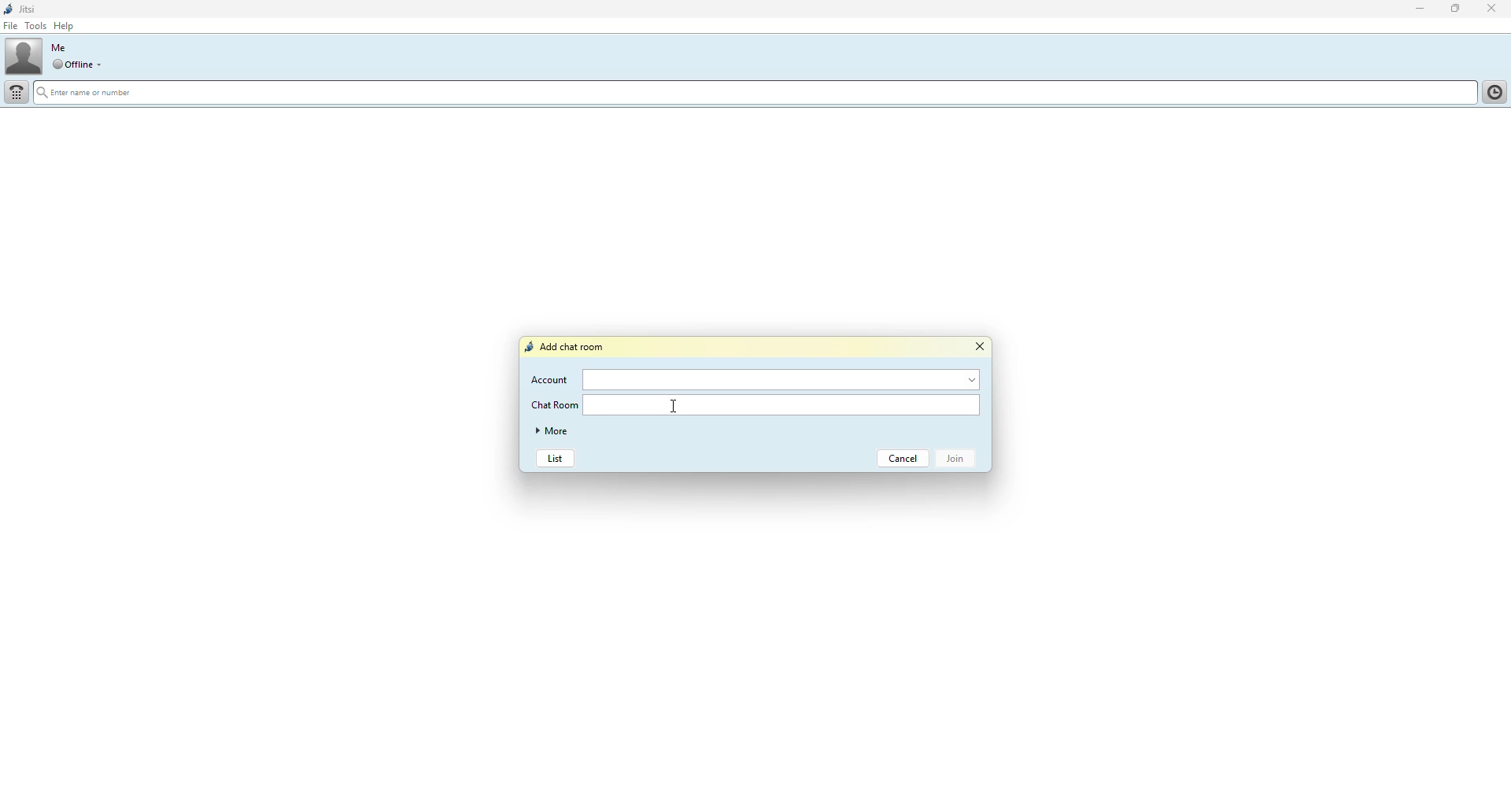 The width and height of the screenshot is (1511, 812). Describe the element at coordinates (72, 65) in the screenshot. I see `offline` at that location.